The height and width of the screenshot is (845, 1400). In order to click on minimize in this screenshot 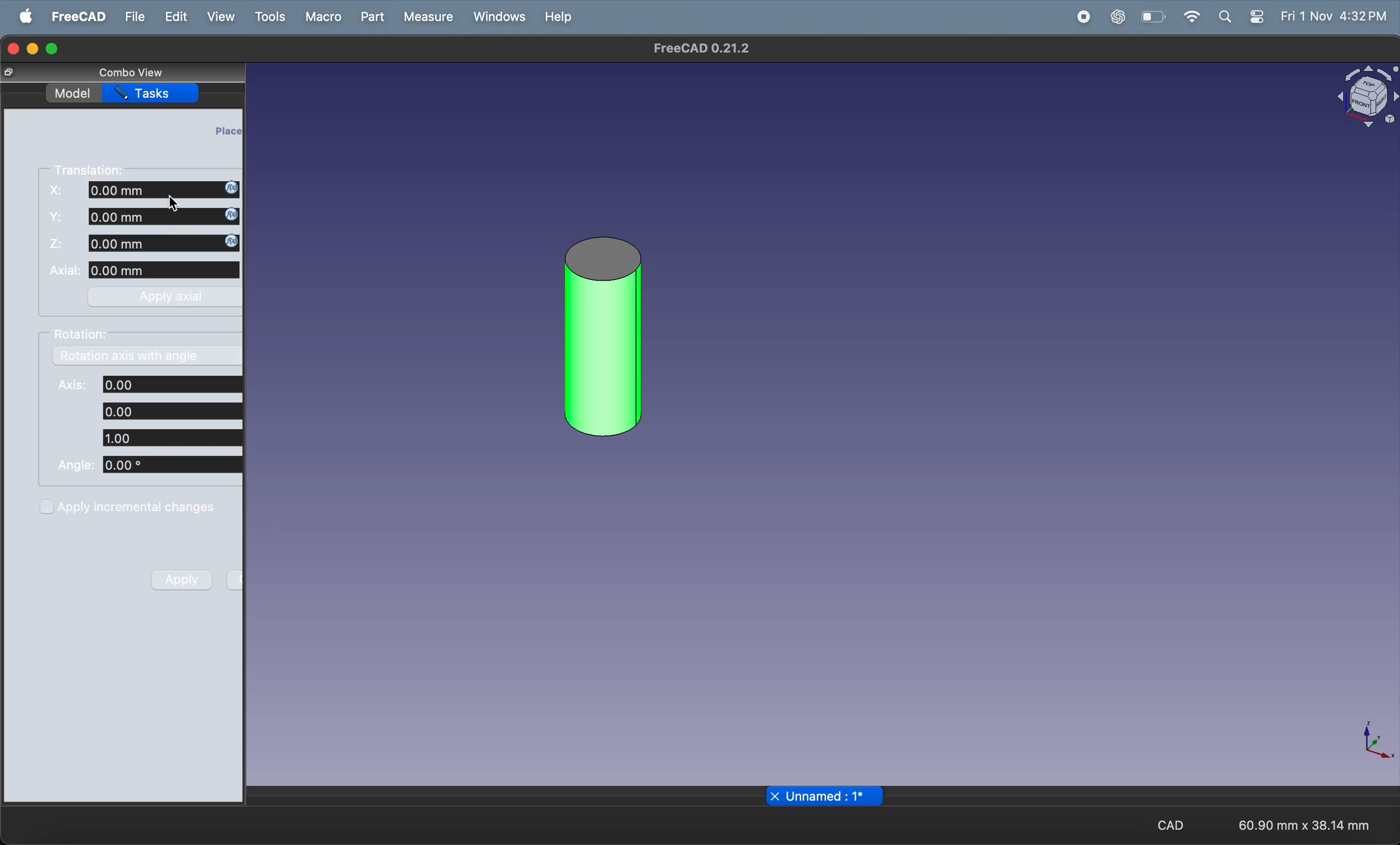, I will do `click(34, 49)`.